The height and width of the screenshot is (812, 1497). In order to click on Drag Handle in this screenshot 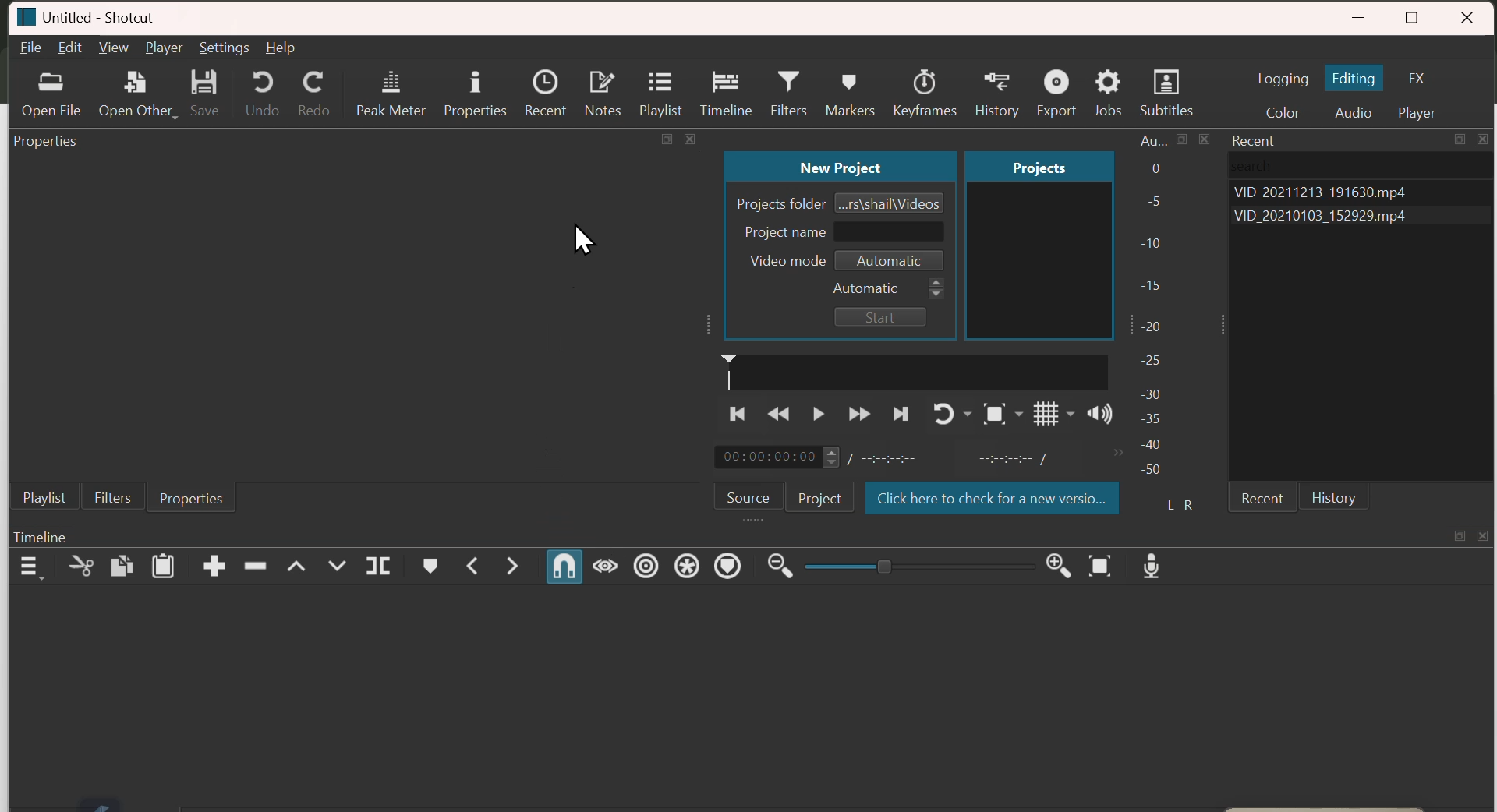, I will do `click(1128, 327)`.